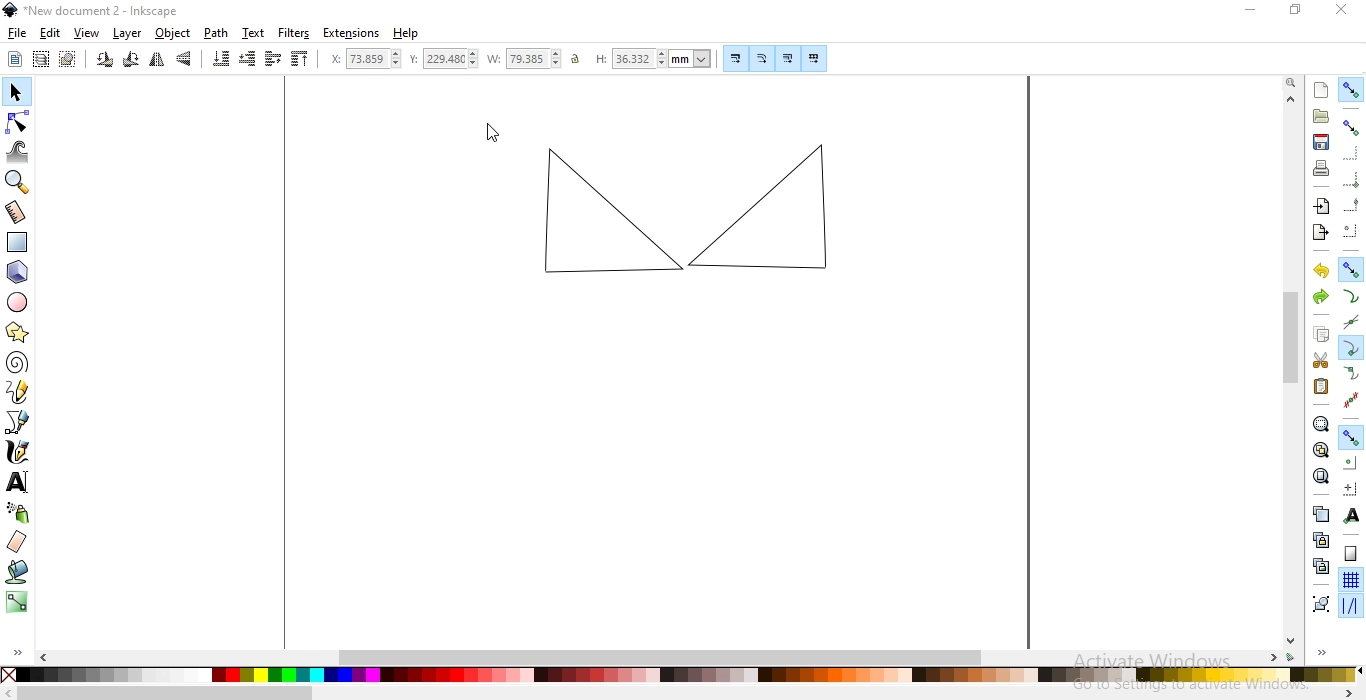  What do you see at coordinates (18, 542) in the screenshot?
I see `erase existing paths` at bounding box center [18, 542].